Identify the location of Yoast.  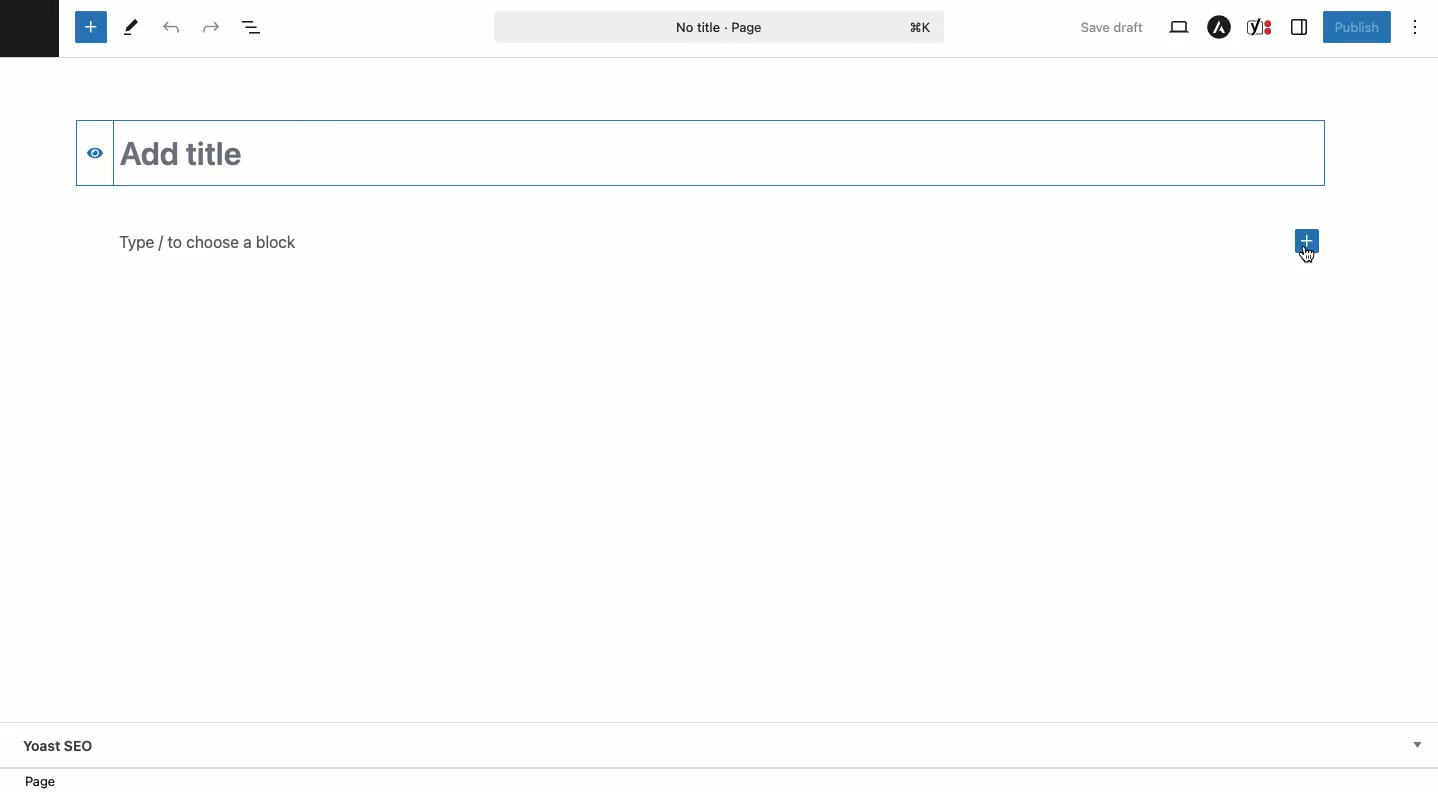
(1262, 27).